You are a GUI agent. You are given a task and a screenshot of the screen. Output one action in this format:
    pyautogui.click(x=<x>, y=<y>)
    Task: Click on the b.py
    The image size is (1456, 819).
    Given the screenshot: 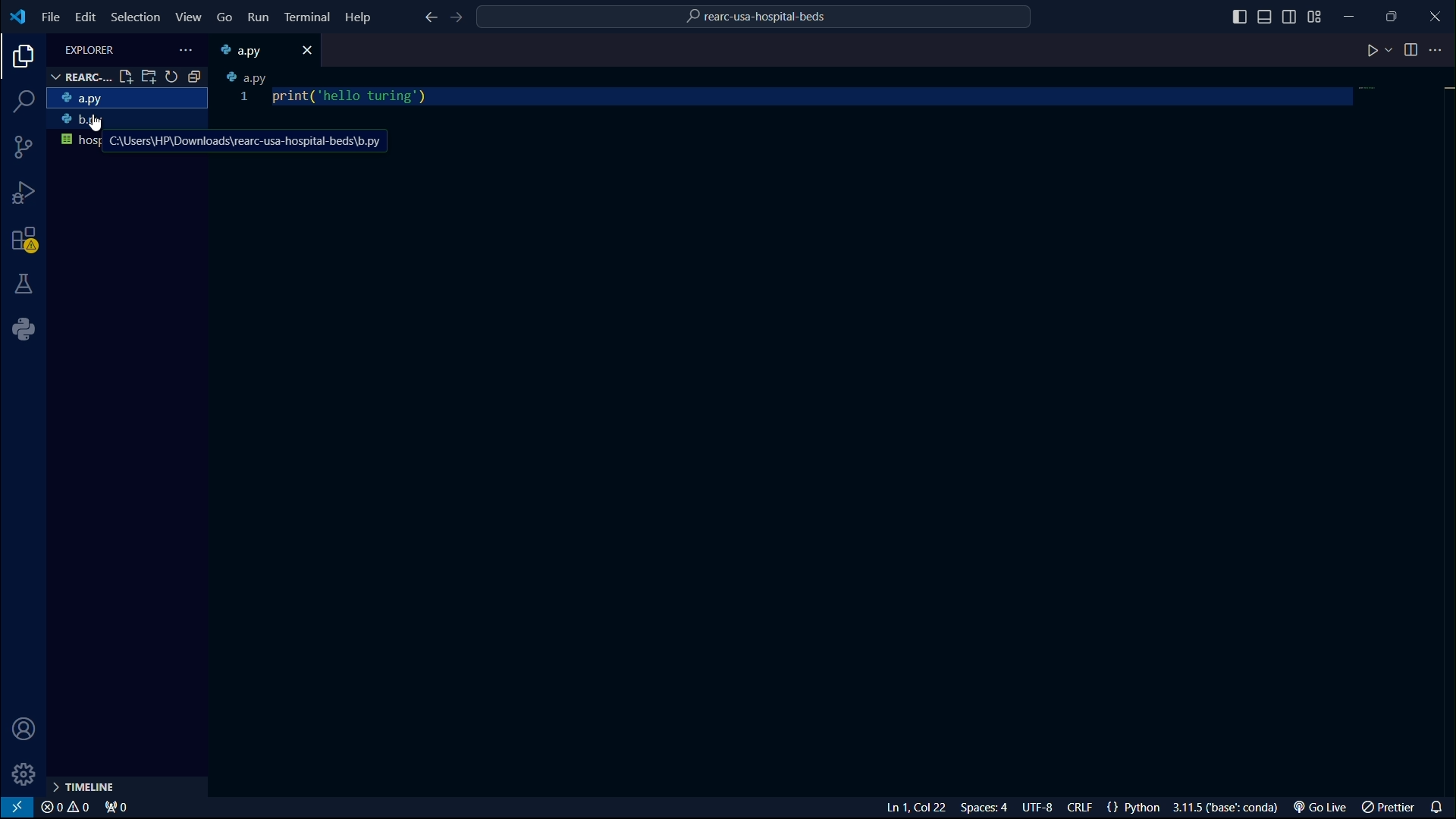 What is the action you would take?
    pyautogui.click(x=125, y=122)
    